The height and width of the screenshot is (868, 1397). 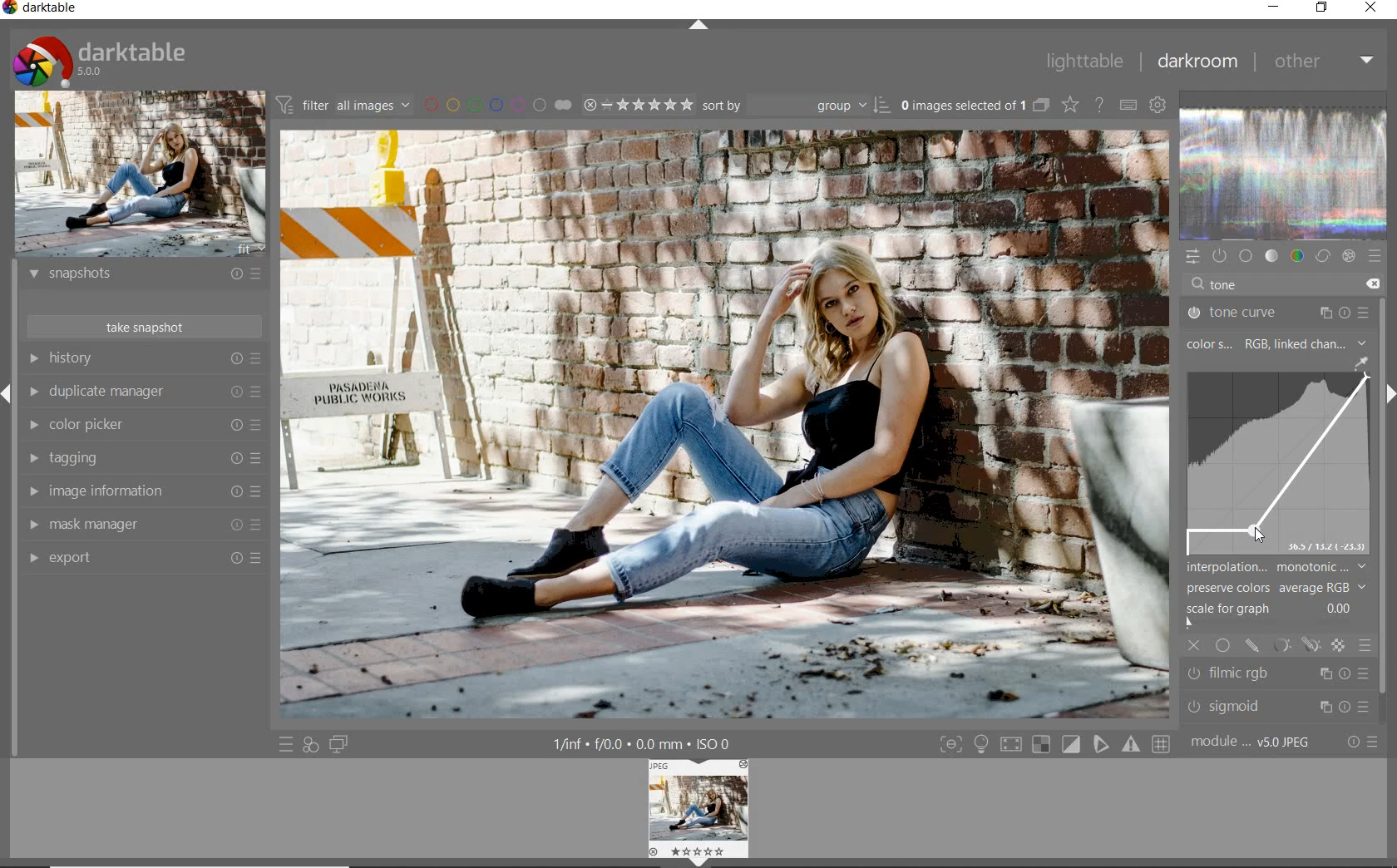 I want to click on quick access panel, so click(x=1192, y=255).